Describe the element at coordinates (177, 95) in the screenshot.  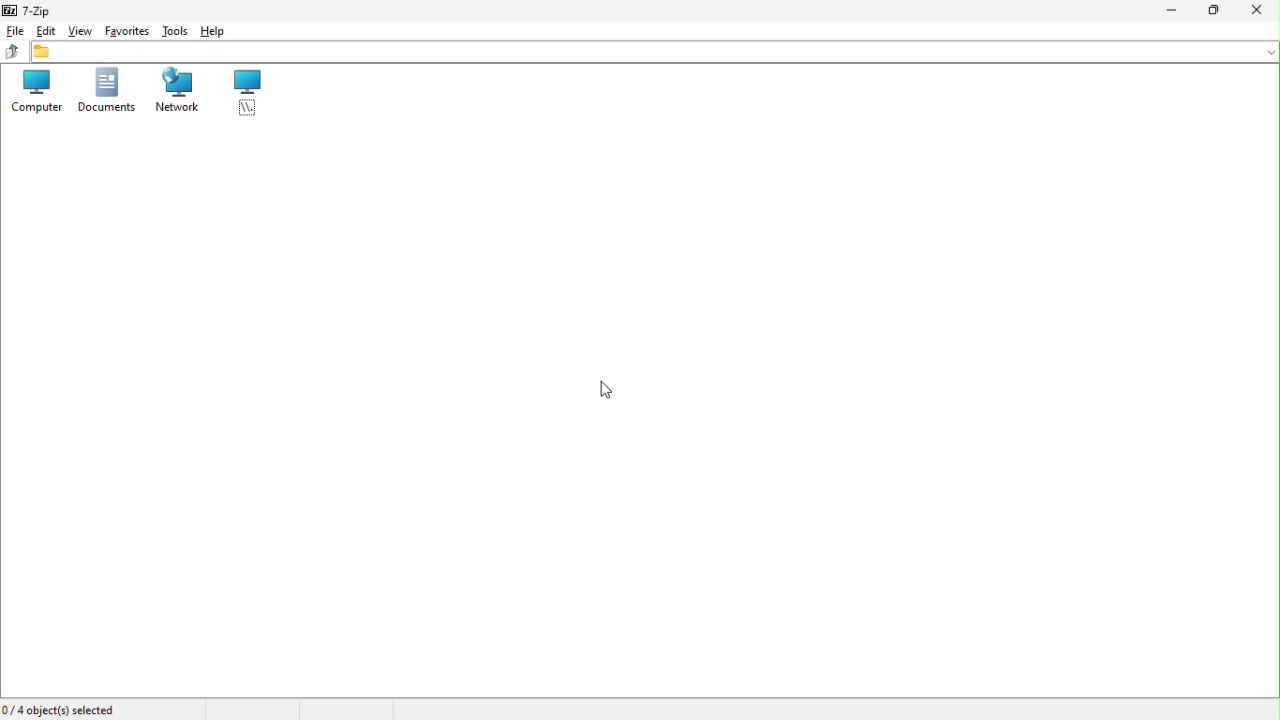
I see `Network` at that location.